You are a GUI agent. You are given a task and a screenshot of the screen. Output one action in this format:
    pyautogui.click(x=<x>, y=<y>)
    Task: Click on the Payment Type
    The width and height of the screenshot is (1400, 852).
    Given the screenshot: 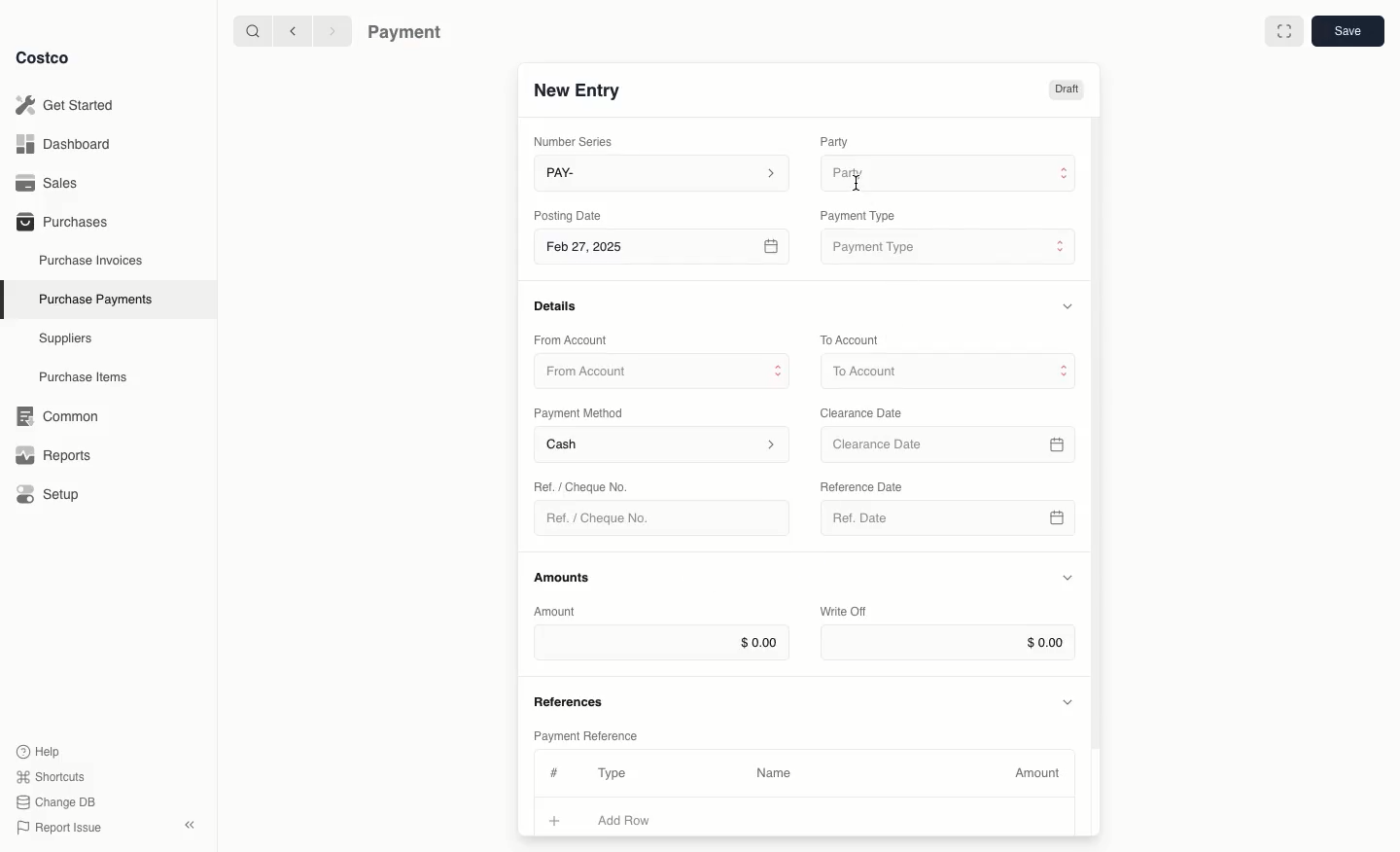 What is the action you would take?
    pyautogui.click(x=951, y=245)
    